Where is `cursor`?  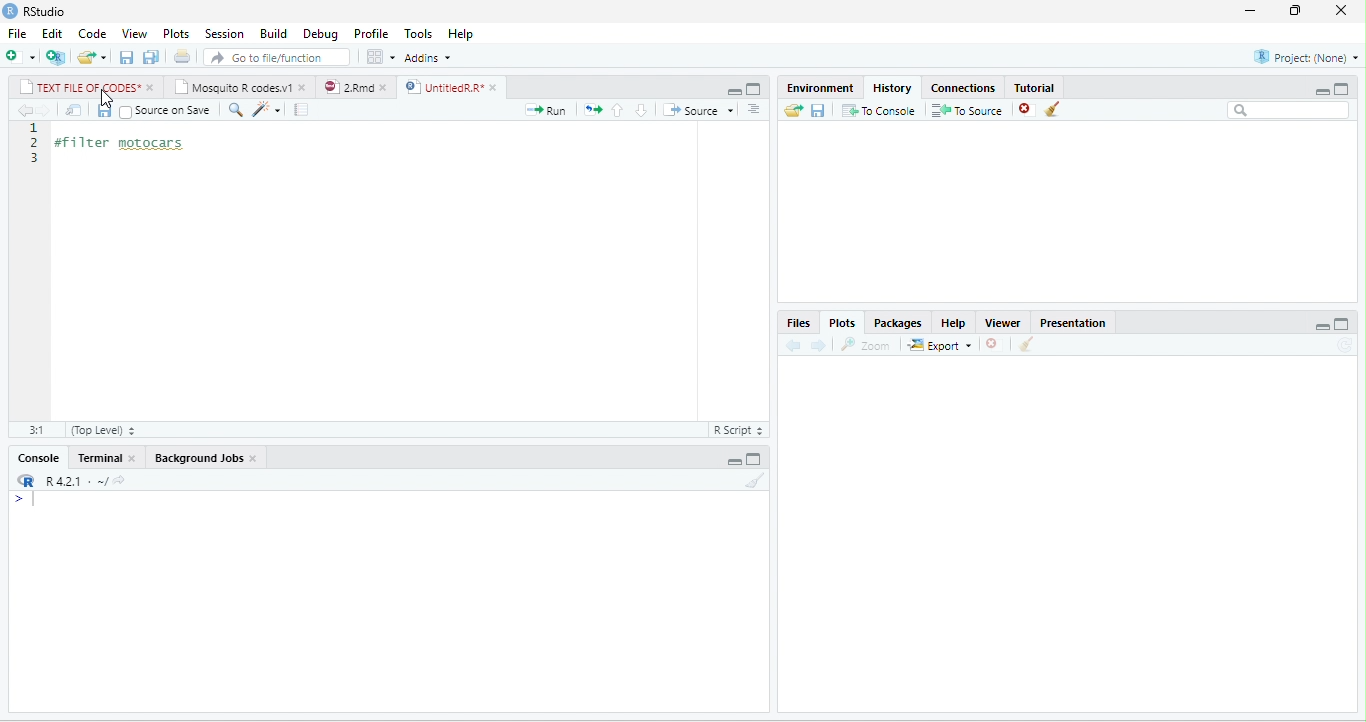 cursor is located at coordinates (108, 101).